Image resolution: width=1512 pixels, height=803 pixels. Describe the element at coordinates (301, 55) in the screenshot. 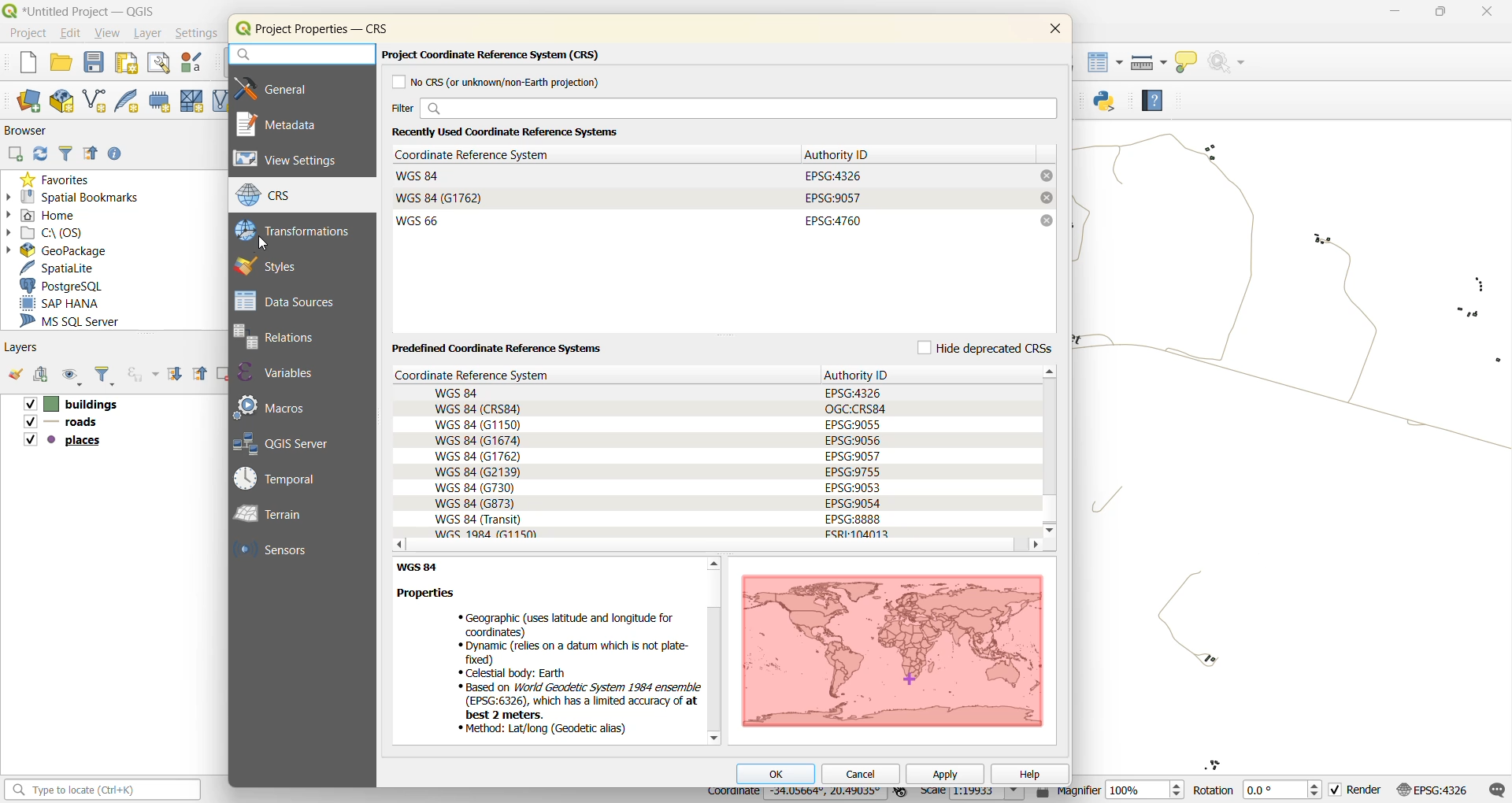

I see `search` at that location.